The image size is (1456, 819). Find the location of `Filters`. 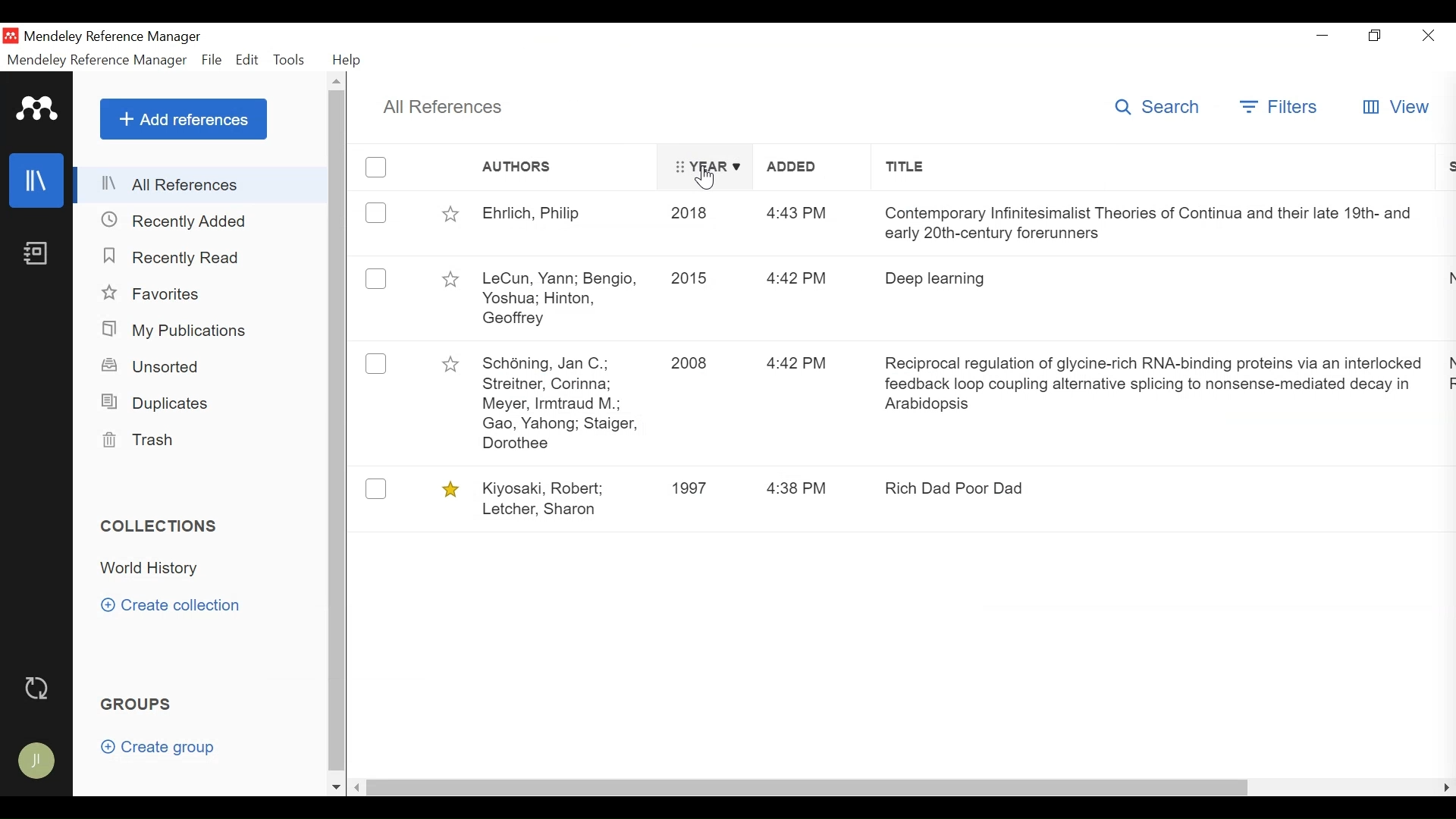

Filters is located at coordinates (1279, 106).